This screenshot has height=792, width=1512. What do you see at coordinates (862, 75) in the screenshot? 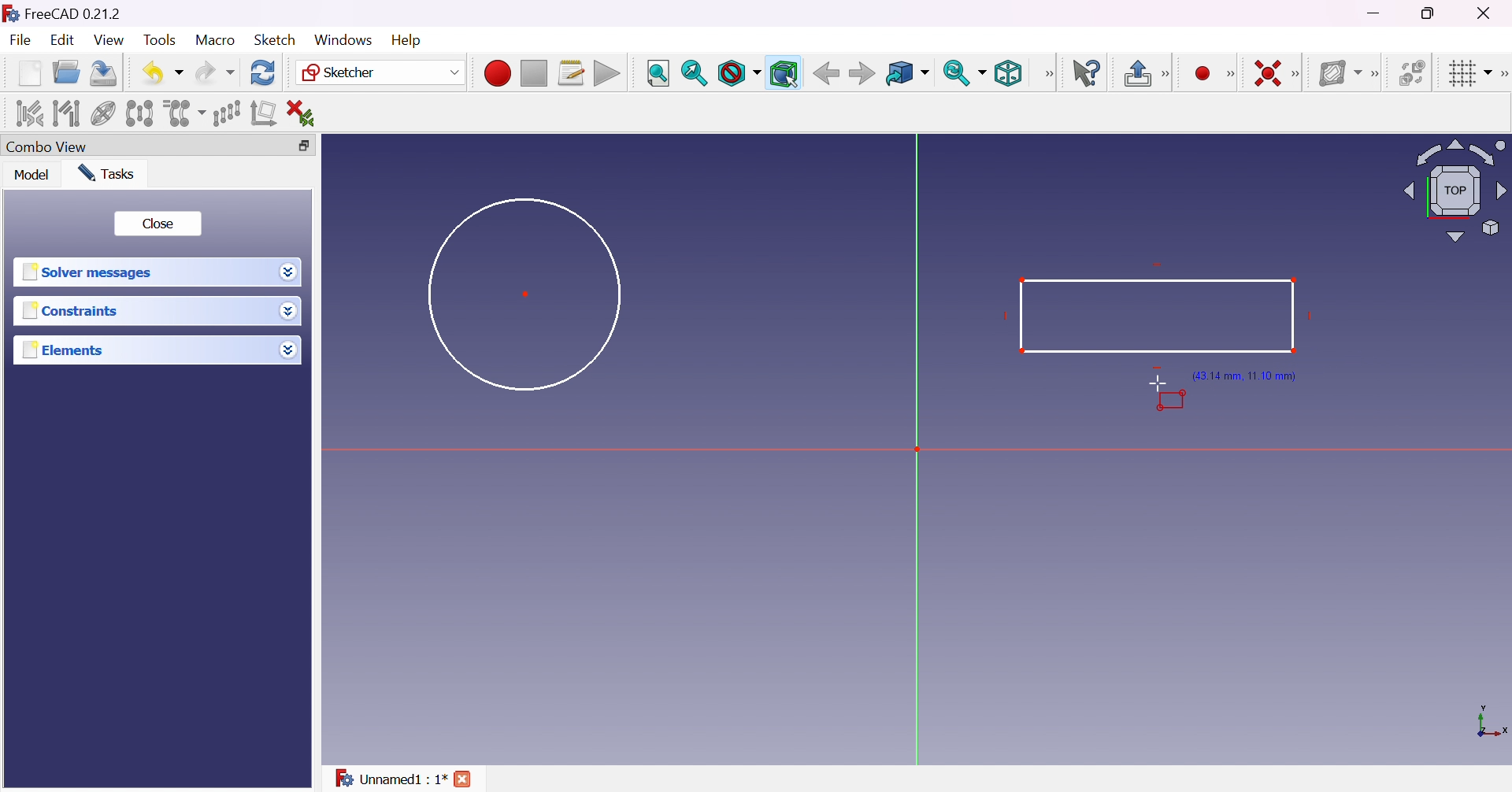
I see `Forward` at bounding box center [862, 75].